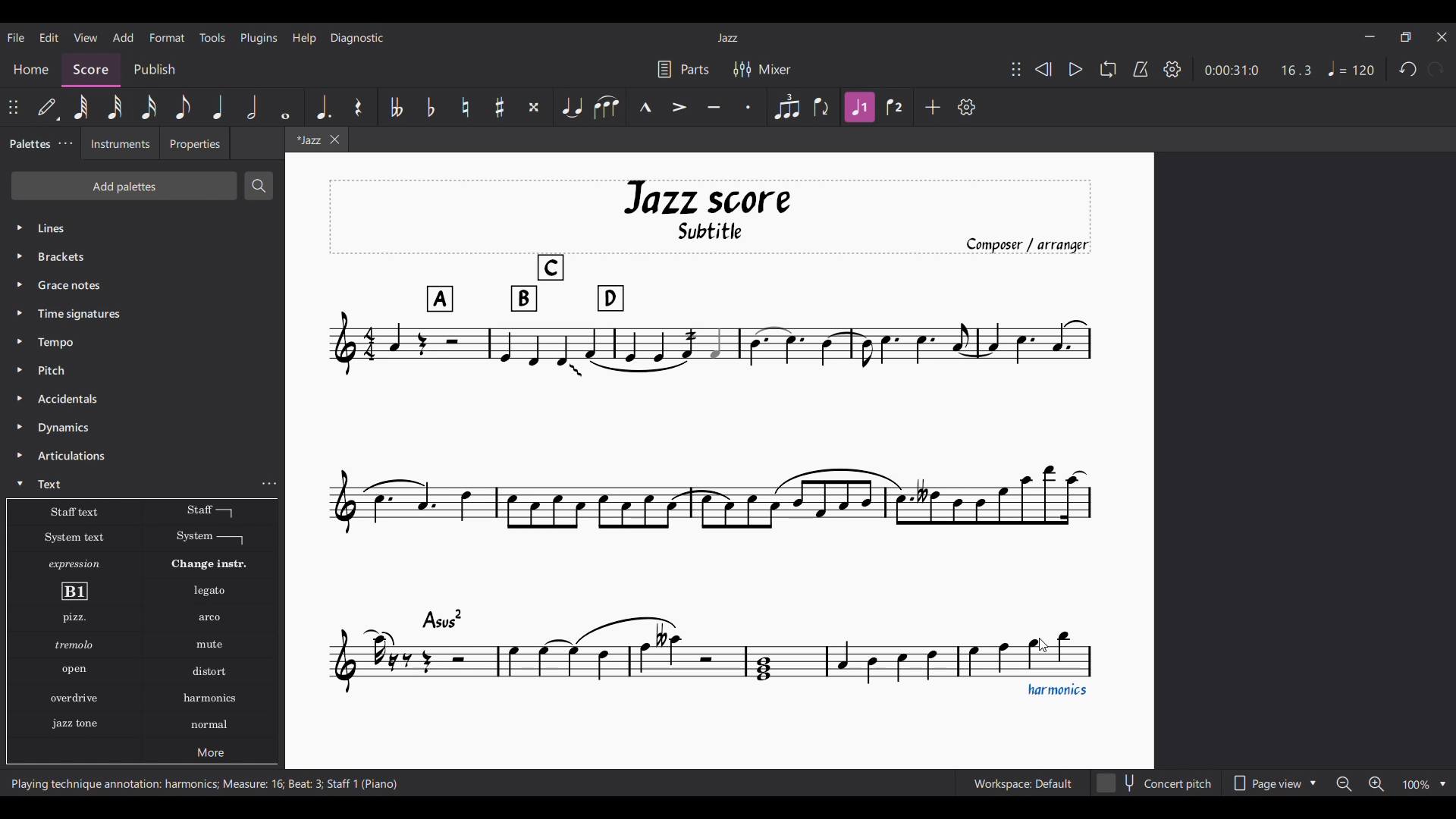 This screenshot has width=1456, height=819. I want to click on Format menu, so click(168, 38).